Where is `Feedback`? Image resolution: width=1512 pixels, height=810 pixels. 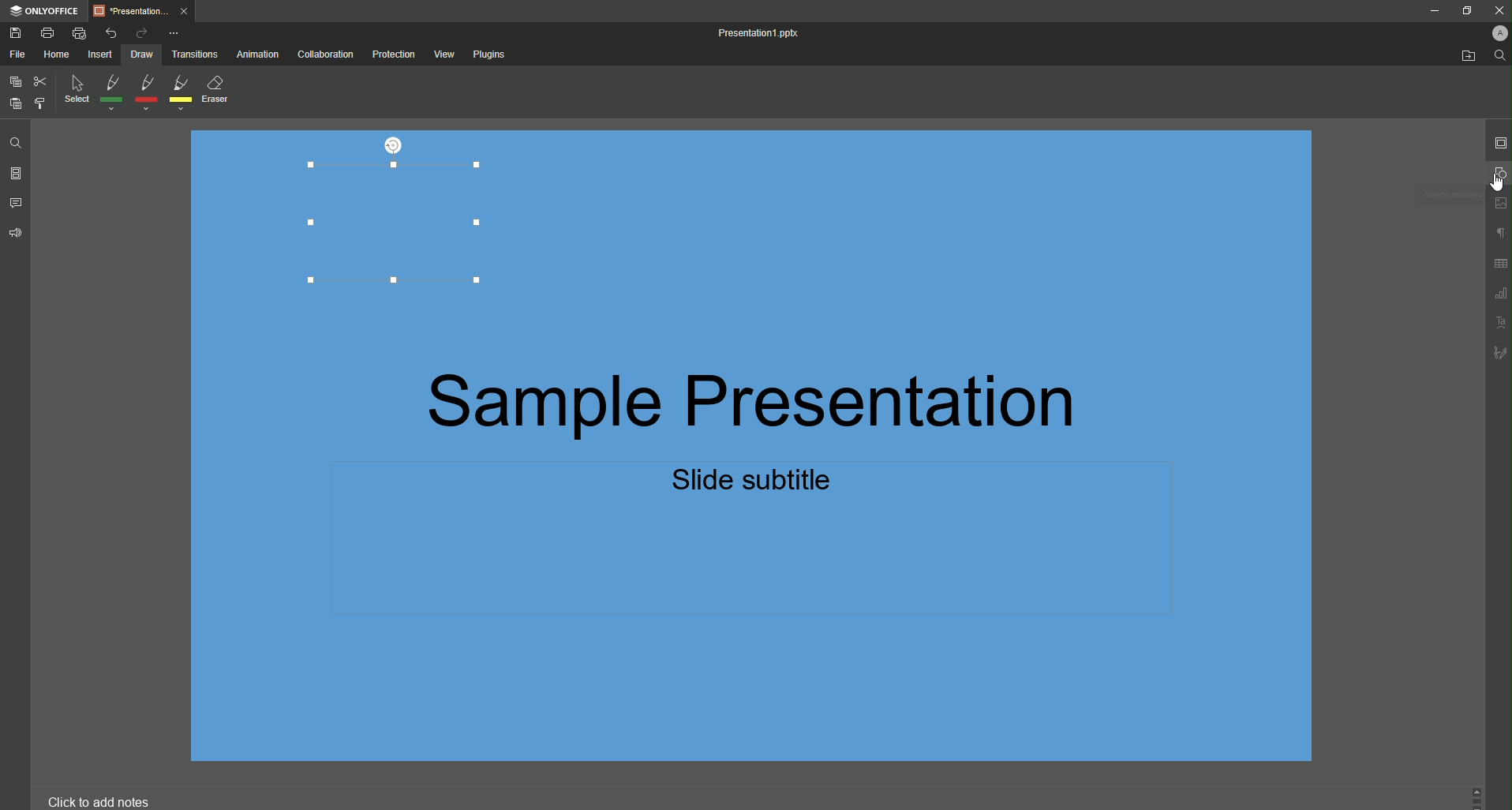
Feedback is located at coordinates (15, 236).